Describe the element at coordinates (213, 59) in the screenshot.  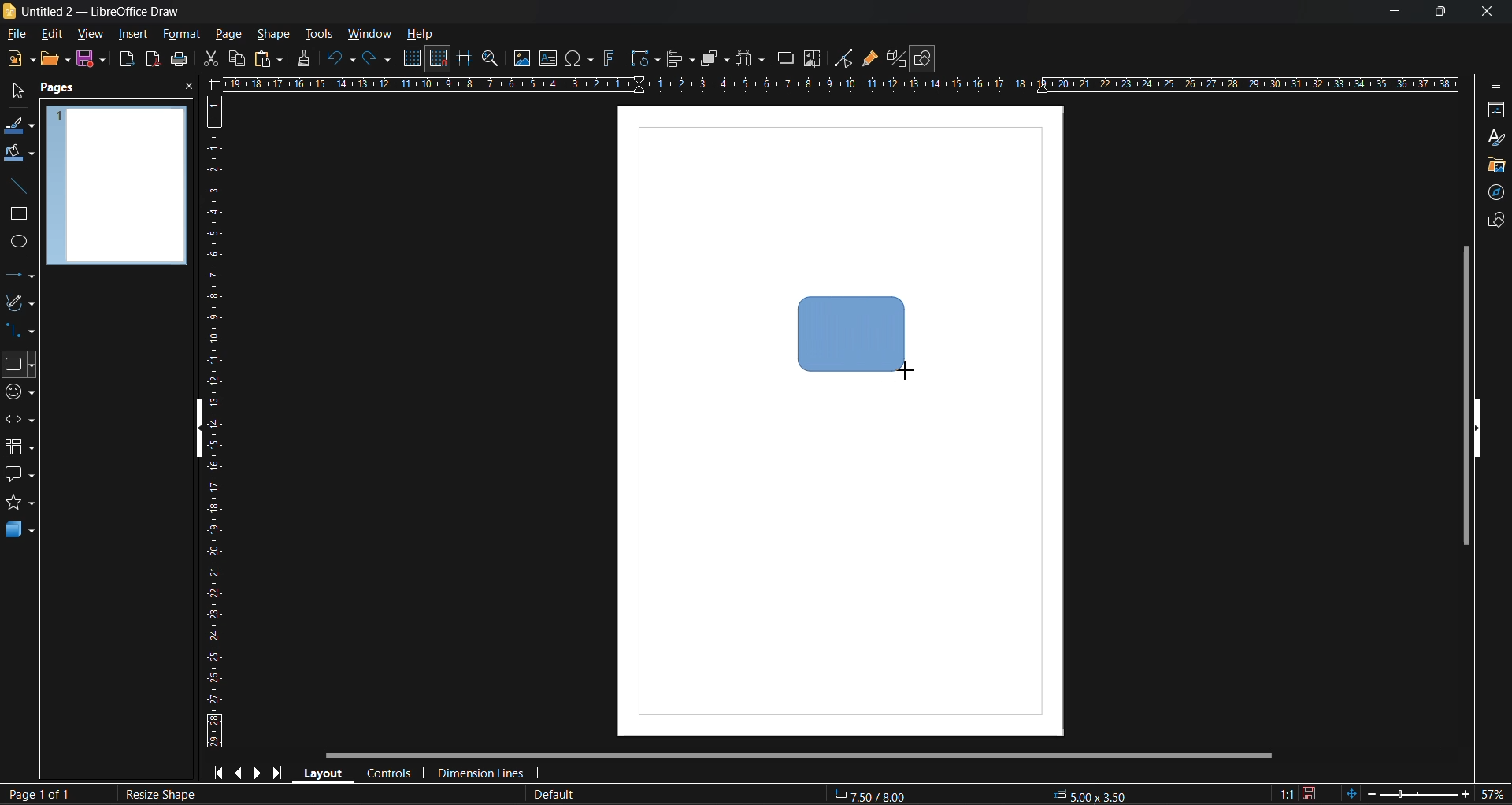
I see `cut` at that location.